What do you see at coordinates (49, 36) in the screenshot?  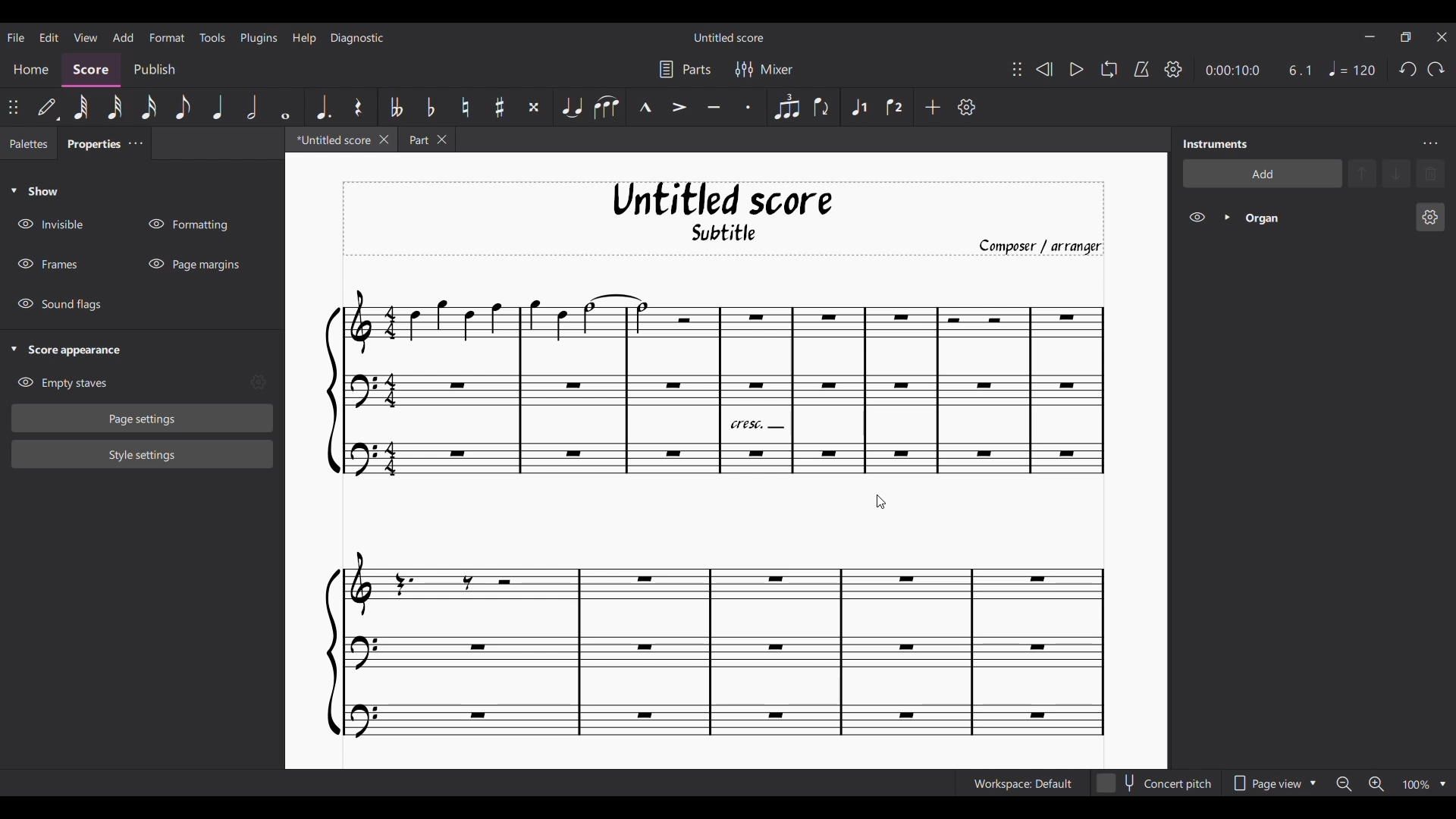 I see `Edit menu` at bounding box center [49, 36].